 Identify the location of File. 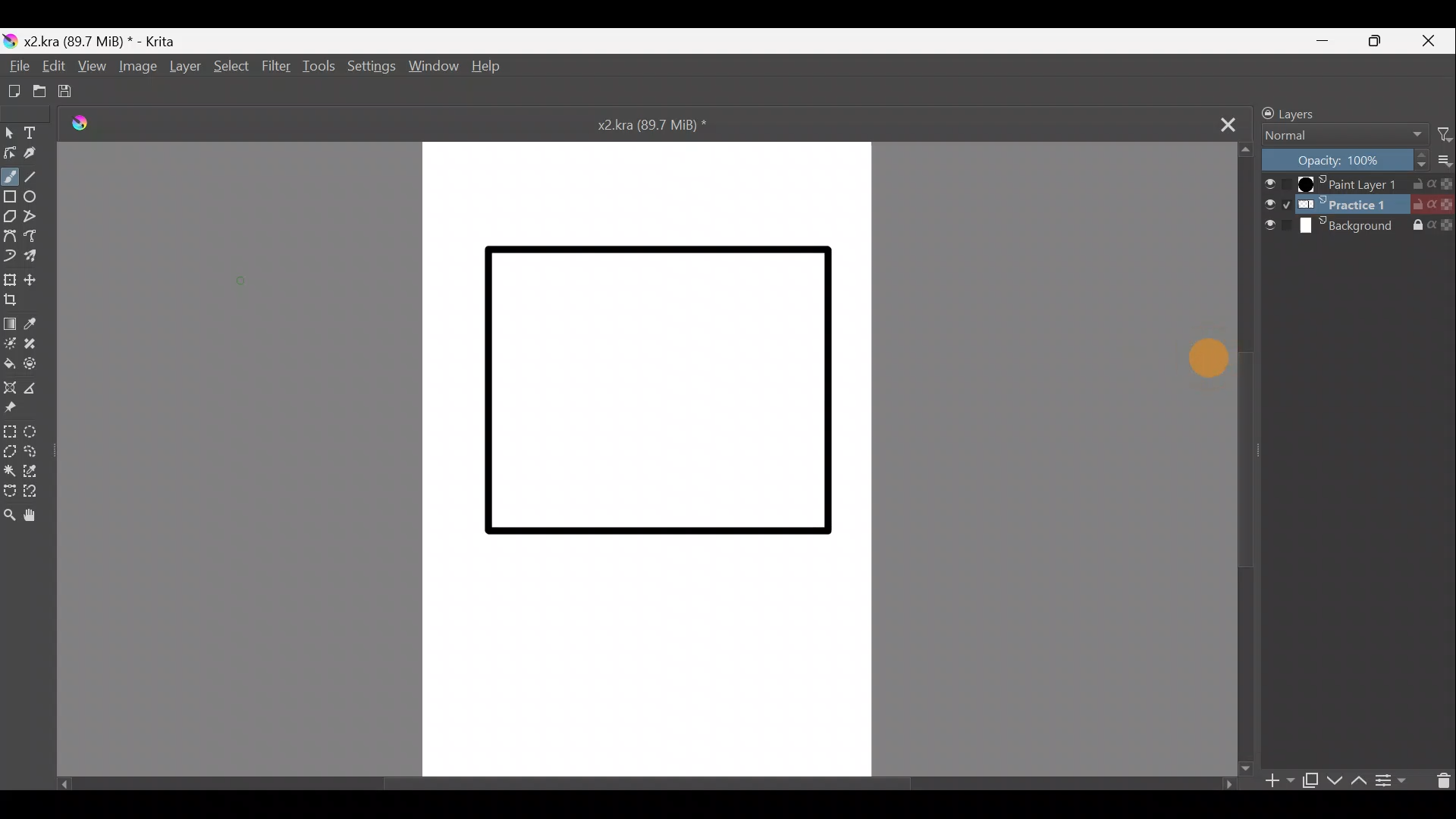
(14, 66).